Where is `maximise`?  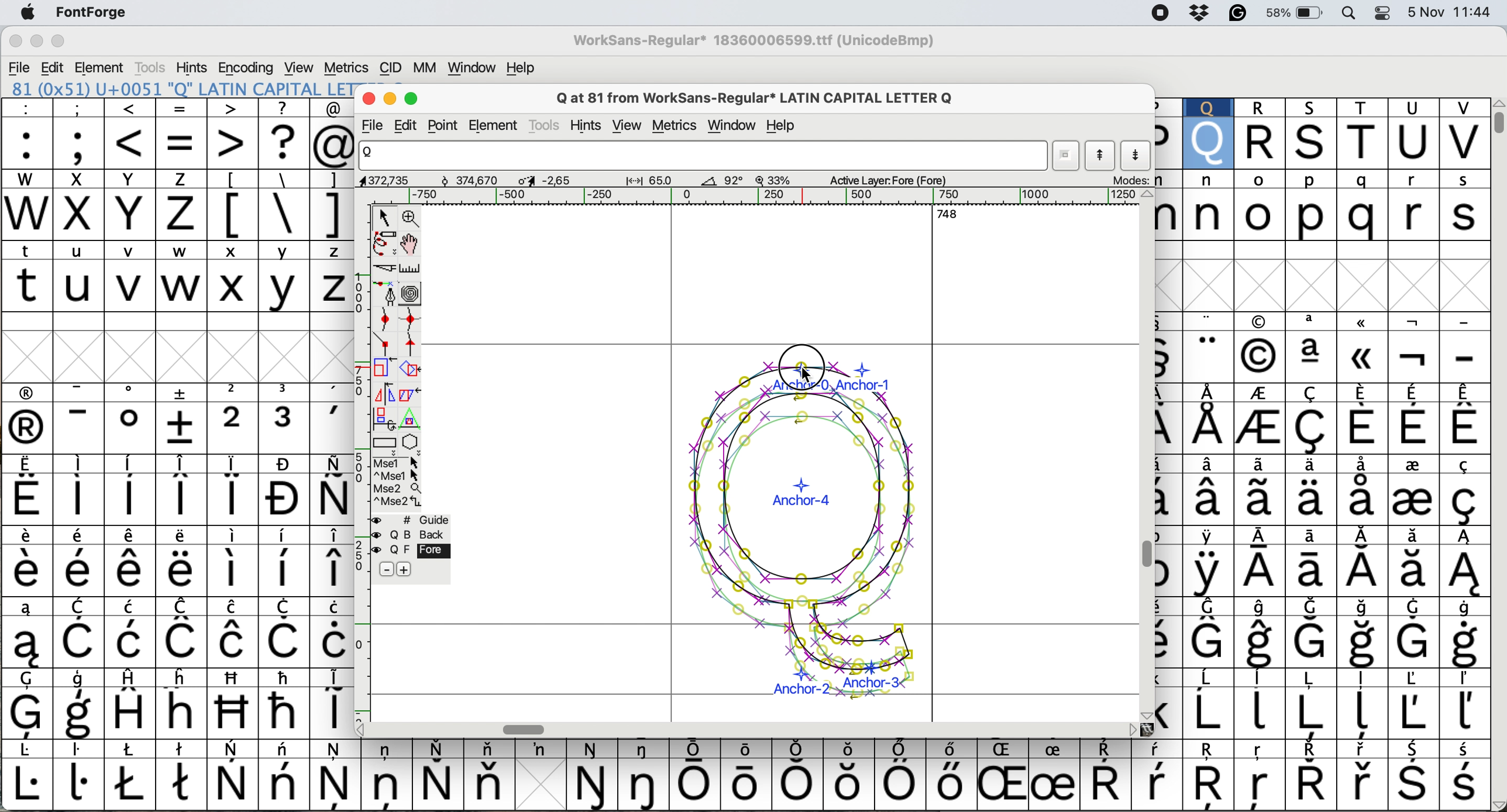
maximise is located at coordinates (413, 99).